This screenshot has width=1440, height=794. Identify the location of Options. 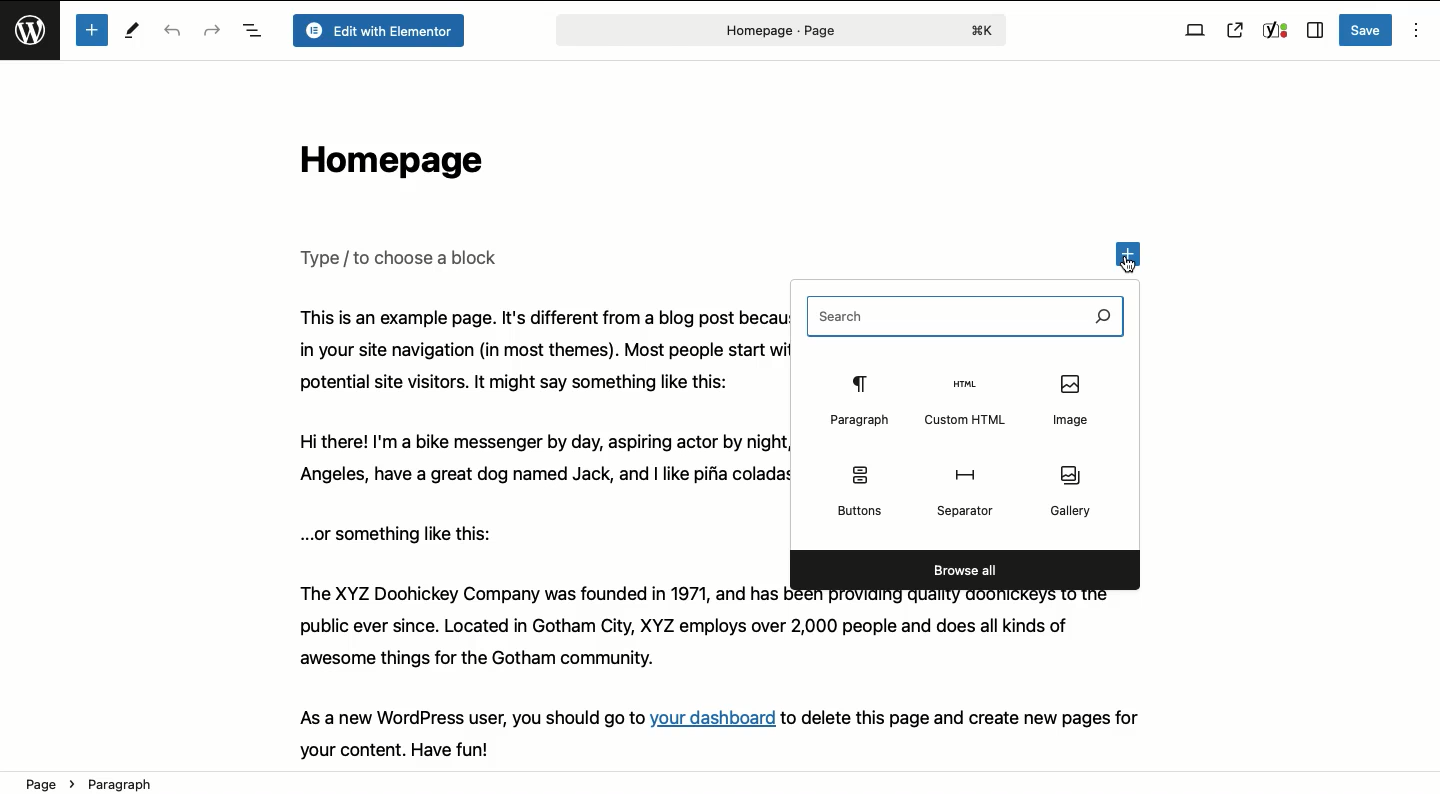
(1414, 31).